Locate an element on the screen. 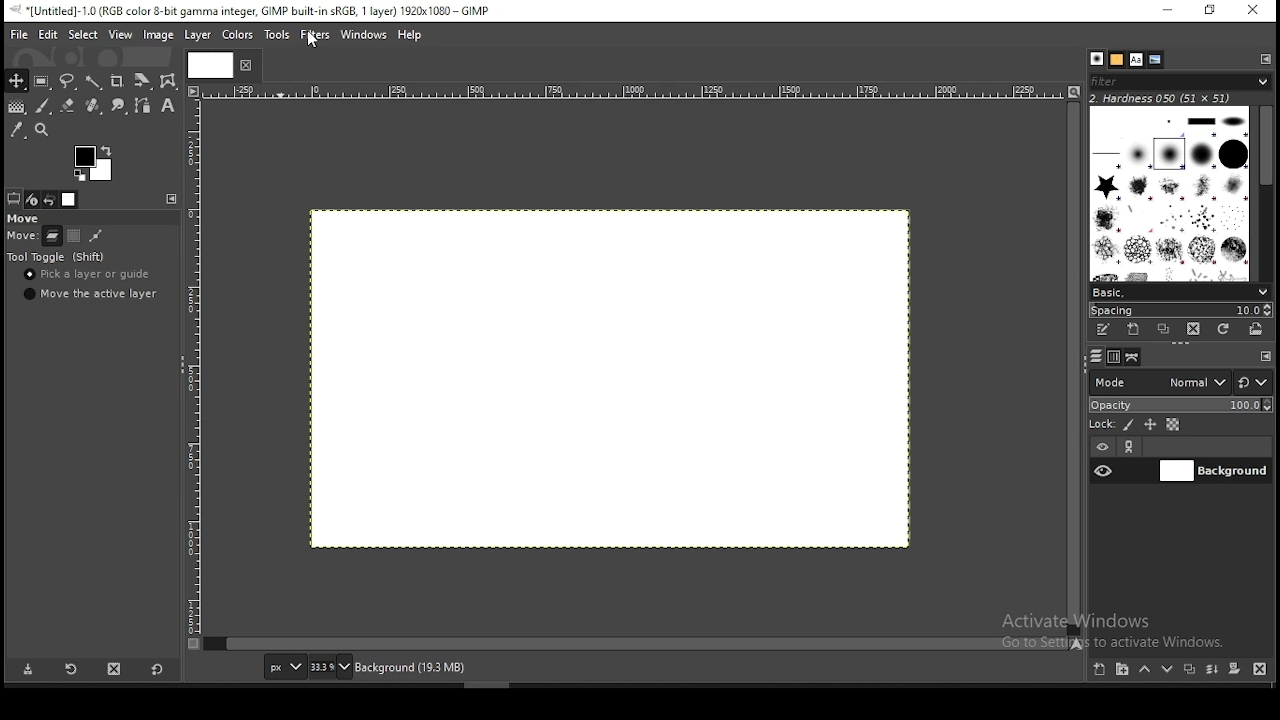  filters is located at coordinates (316, 36).